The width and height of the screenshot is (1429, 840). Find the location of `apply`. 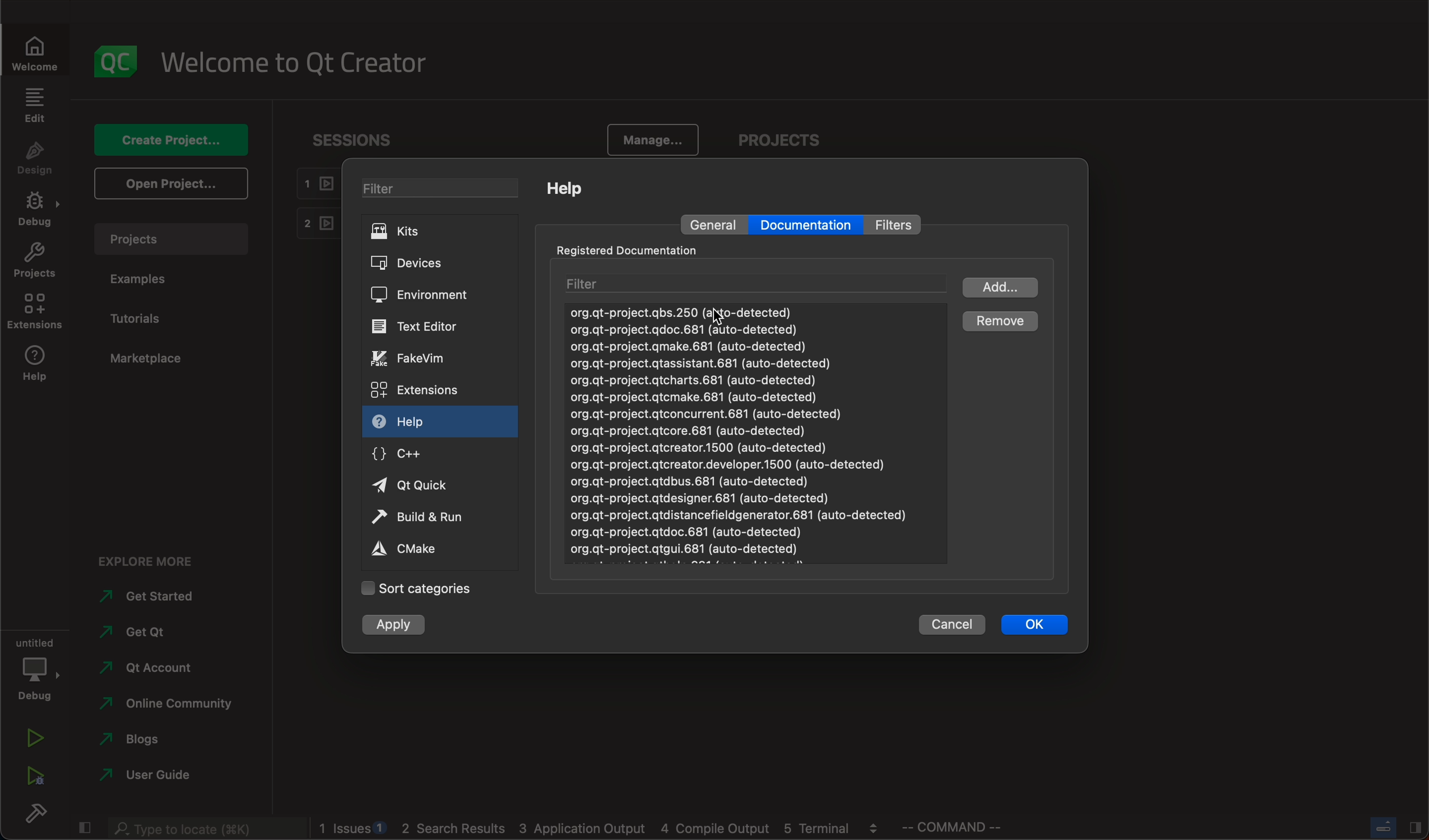

apply is located at coordinates (398, 626).